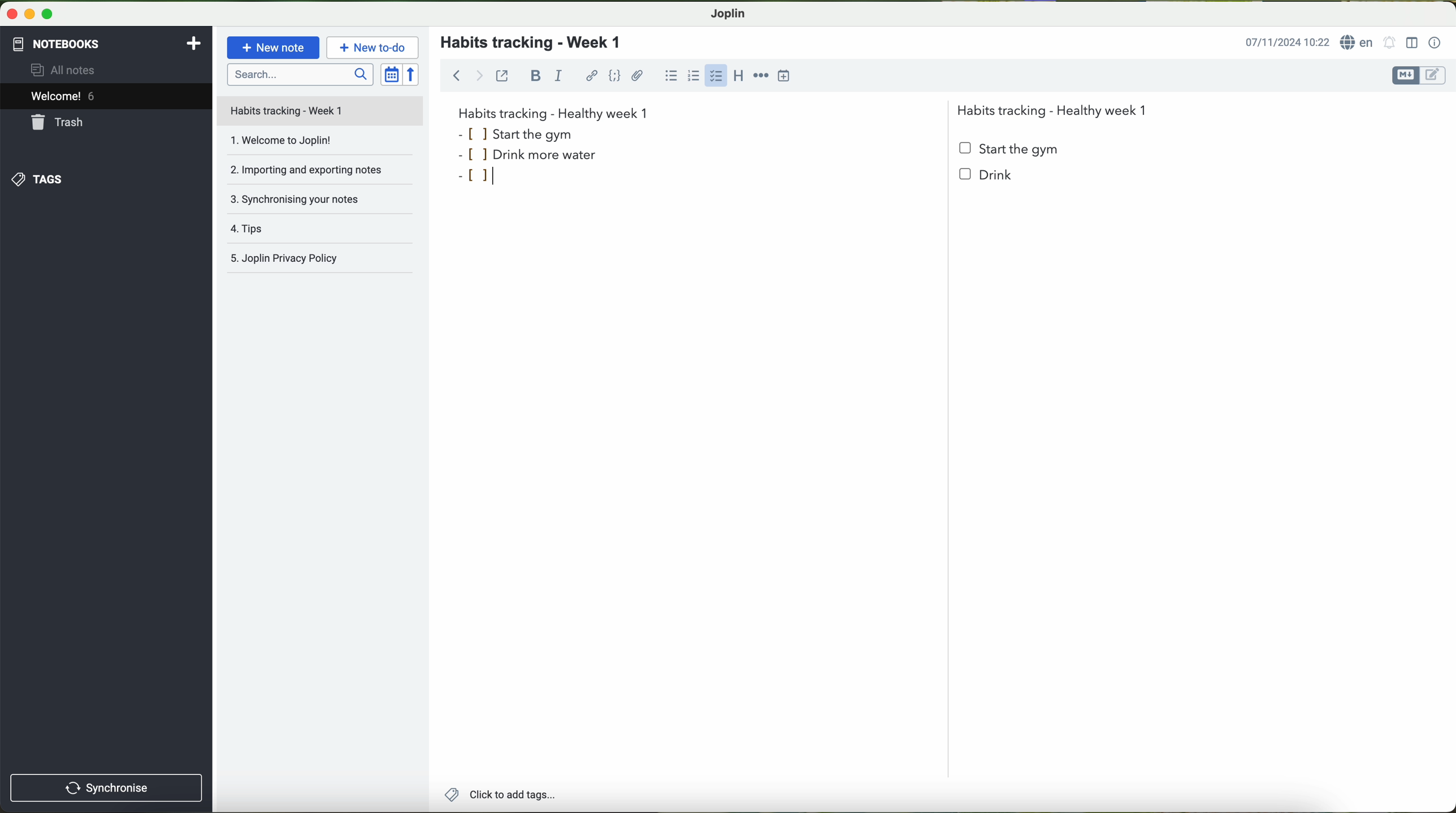 This screenshot has width=1456, height=813. Describe the element at coordinates (761, 76) in the screenshot. I see `horizontal rule` at that location.